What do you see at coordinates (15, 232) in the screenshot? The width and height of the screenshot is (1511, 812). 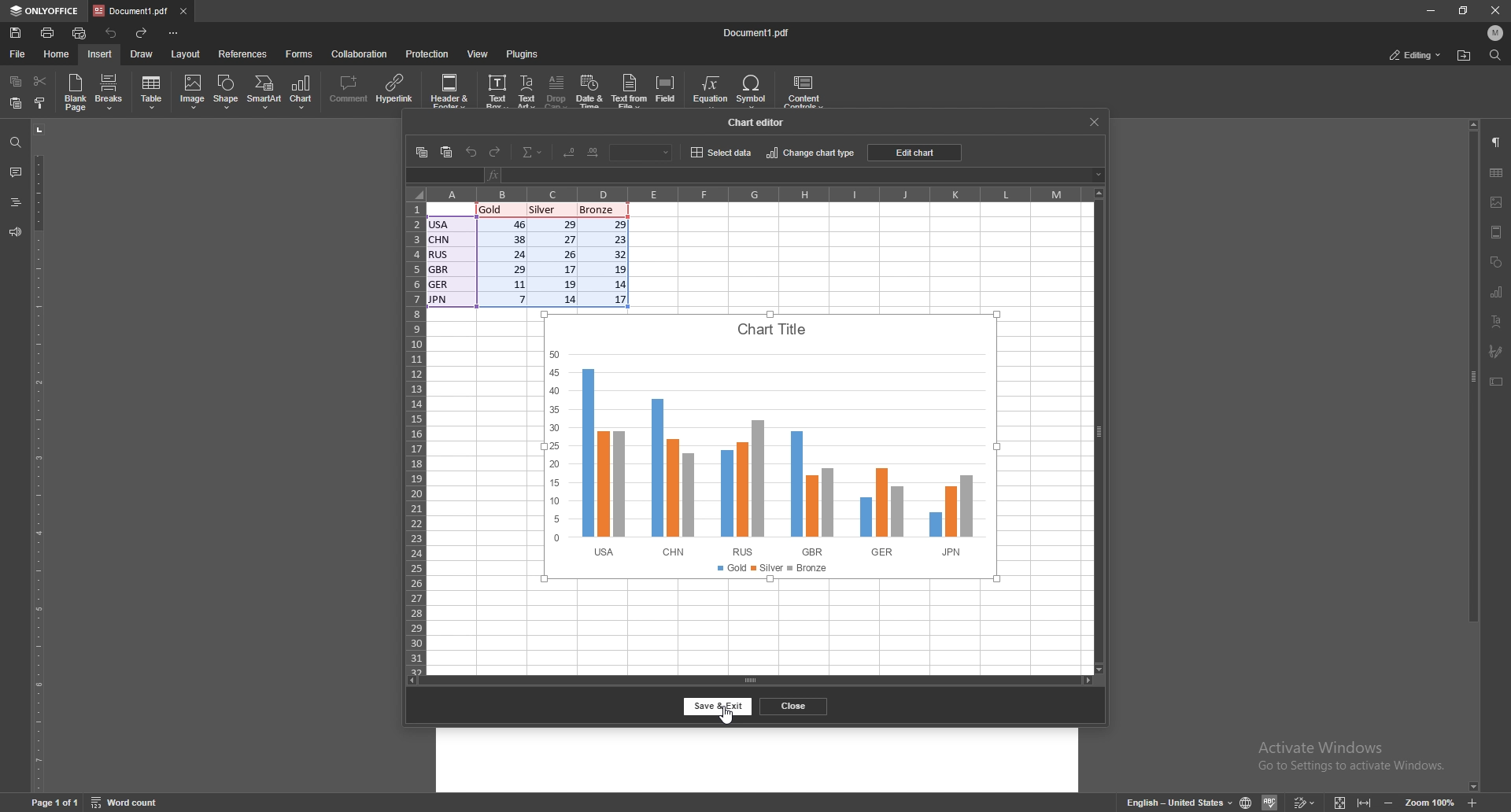 I see `feedback` at bounding box center [15, 232].